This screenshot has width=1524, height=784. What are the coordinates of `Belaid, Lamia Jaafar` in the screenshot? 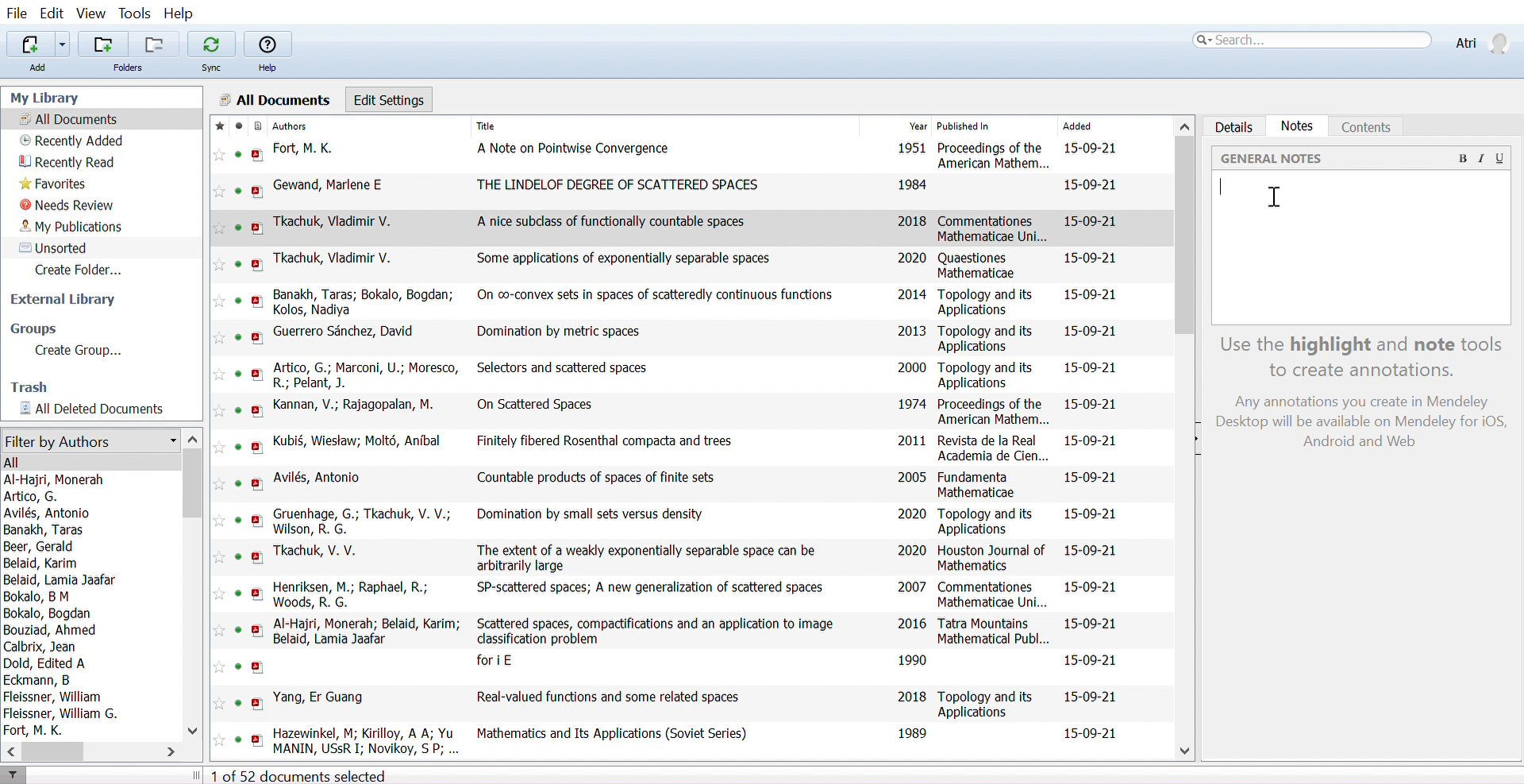 It's located at (63, 580).